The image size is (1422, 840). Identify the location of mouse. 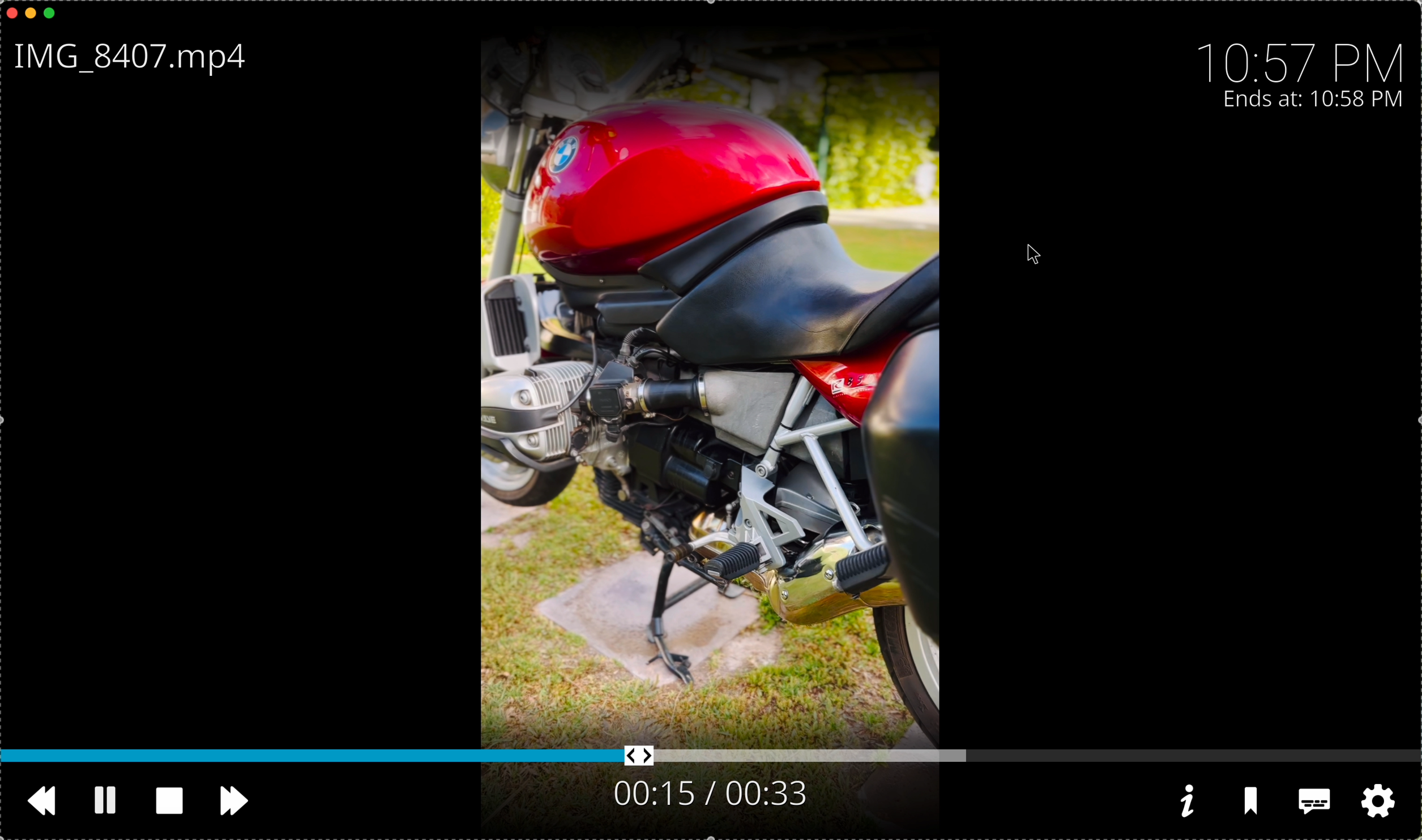
(1035, 255).